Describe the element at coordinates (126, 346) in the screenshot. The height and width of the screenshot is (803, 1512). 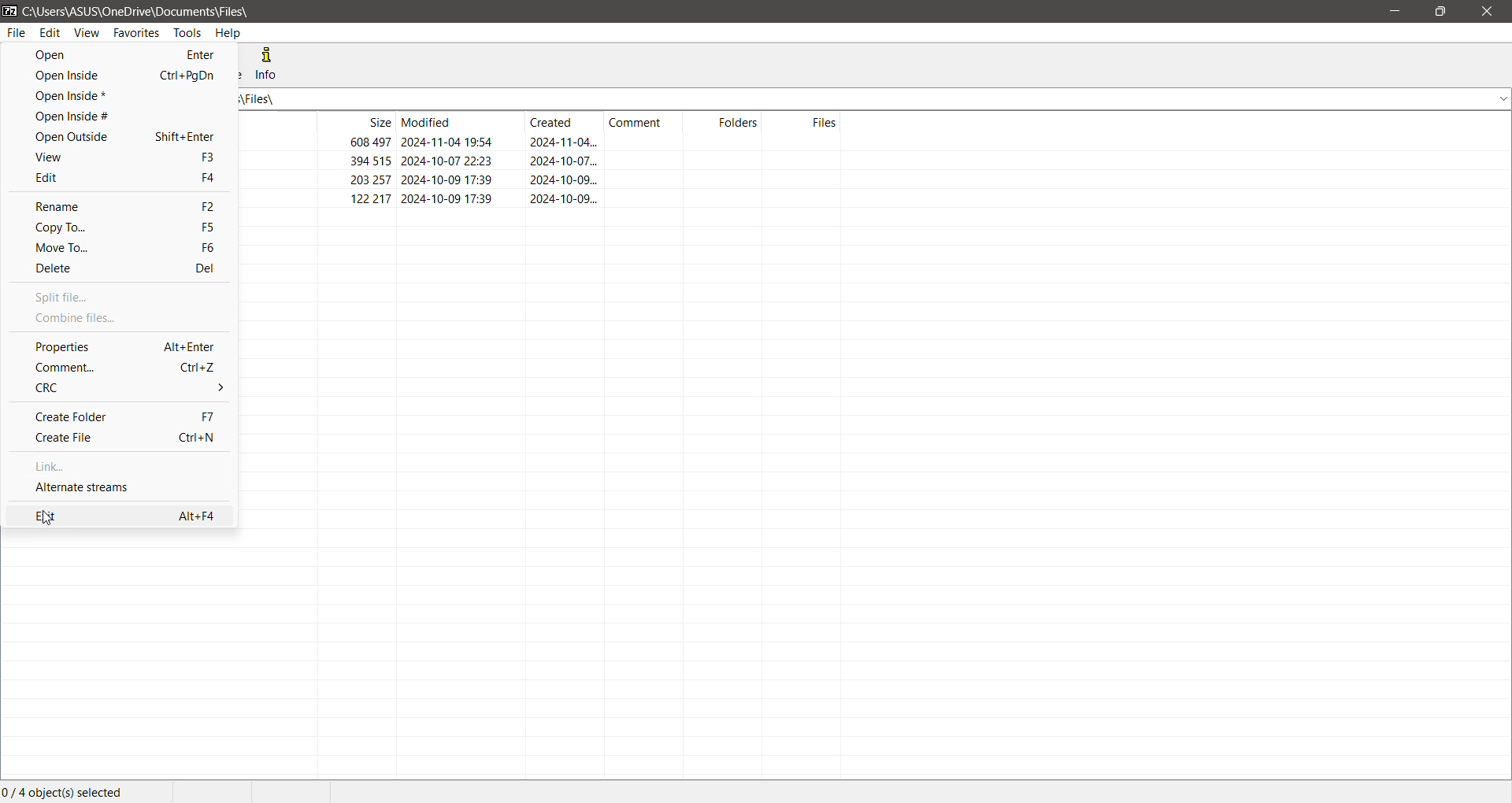
I see `Properties` at that location.